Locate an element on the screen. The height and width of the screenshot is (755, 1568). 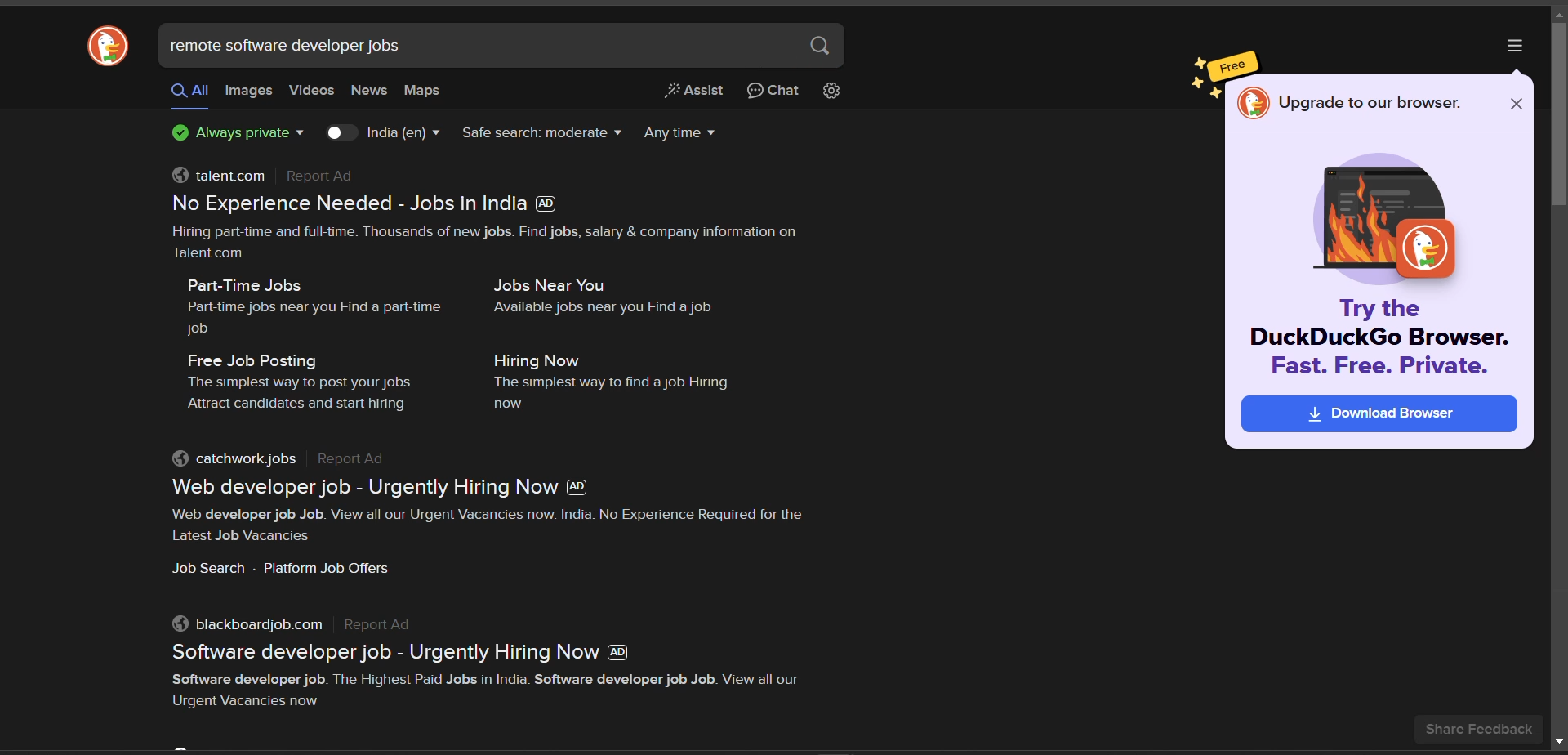
vertical slide bar is located at coordinates (1558, 114).